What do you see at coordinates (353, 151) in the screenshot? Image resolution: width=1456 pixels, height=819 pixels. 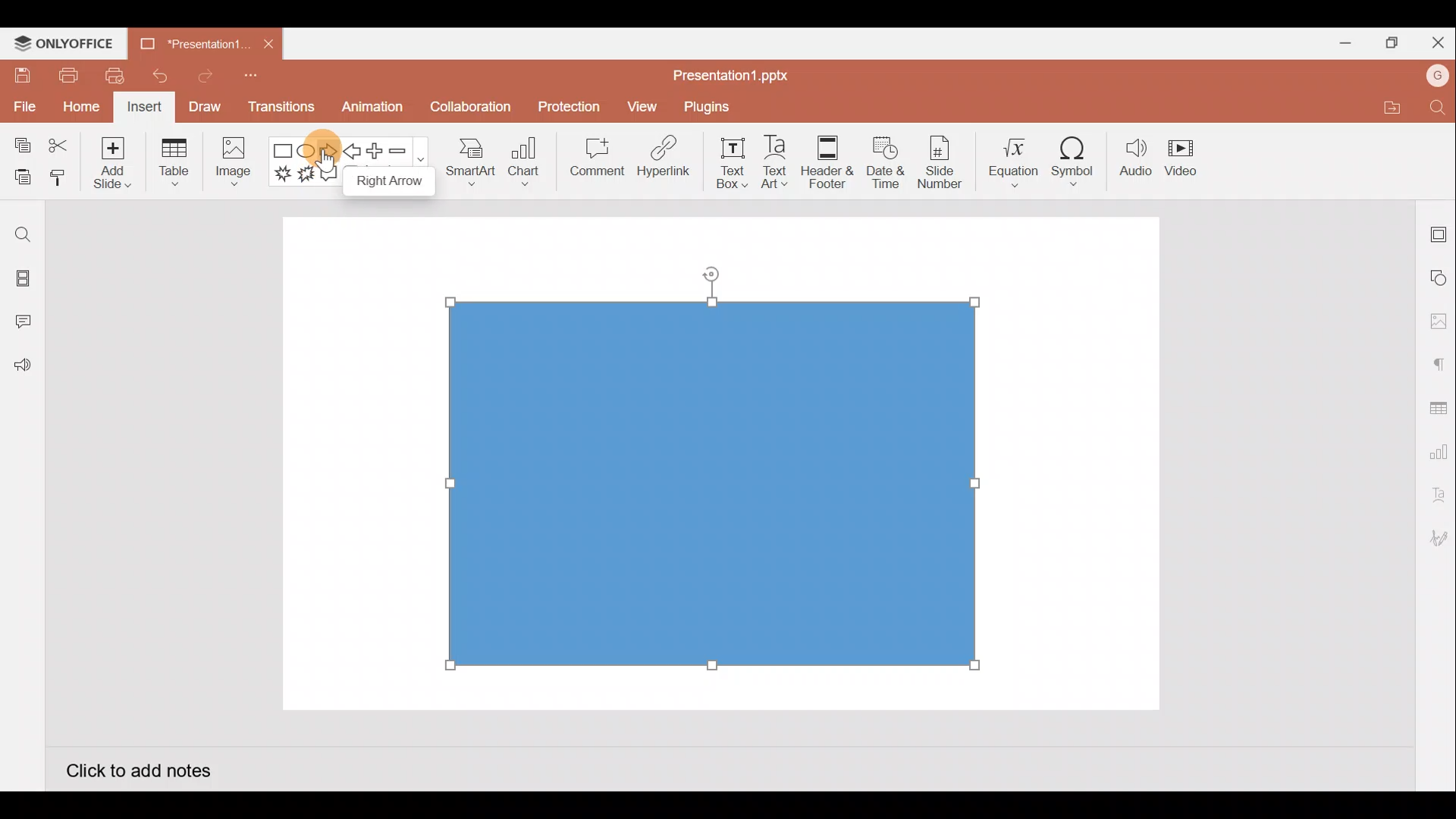 I see `Left arrow` at bounding box center [353, 151].